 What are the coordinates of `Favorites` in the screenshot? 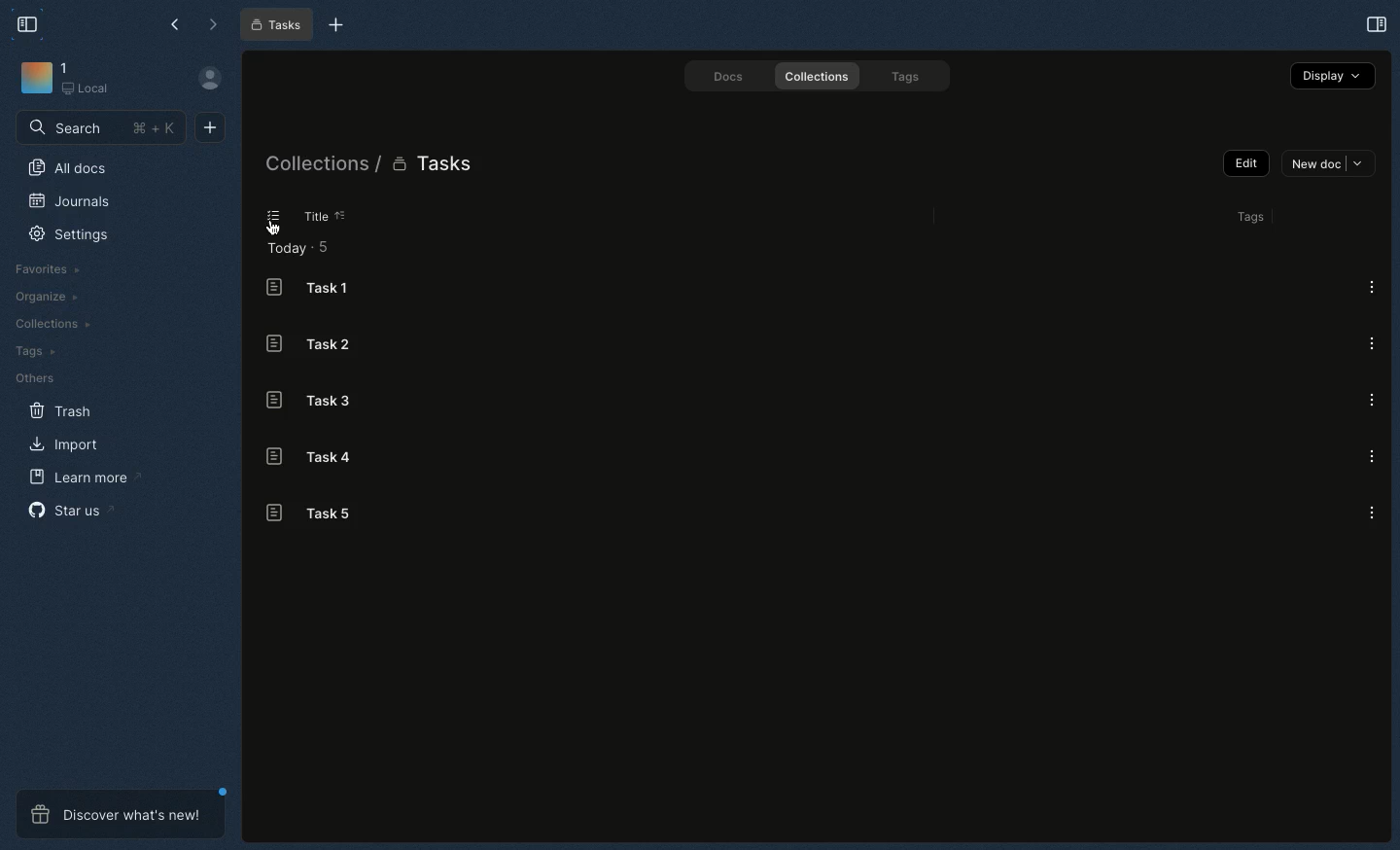 It's located at (52, 268).